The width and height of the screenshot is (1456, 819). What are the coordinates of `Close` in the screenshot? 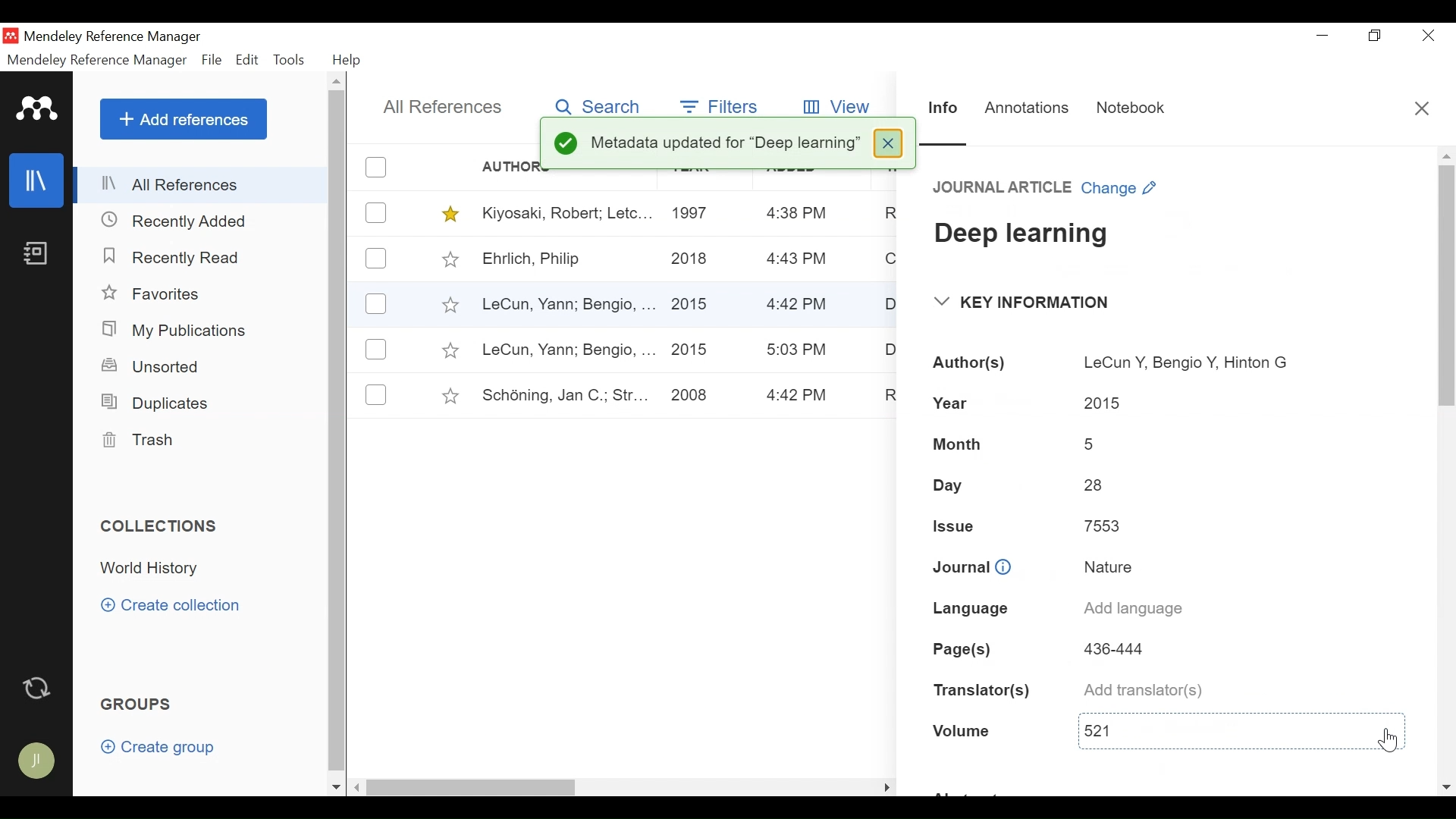 It's located at (886, 142).